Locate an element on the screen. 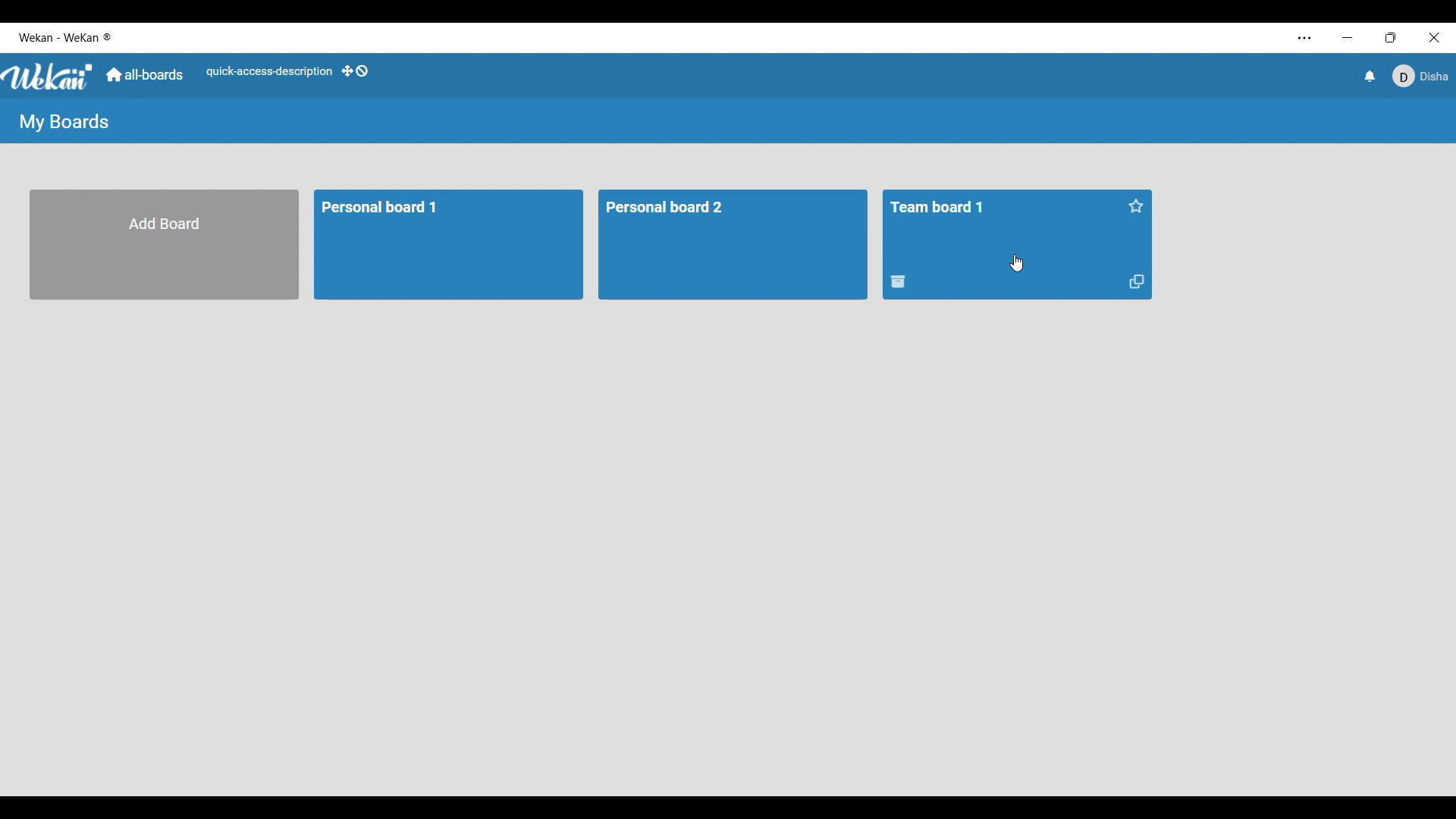  Main dashboard is located at coordinates (145, 74).